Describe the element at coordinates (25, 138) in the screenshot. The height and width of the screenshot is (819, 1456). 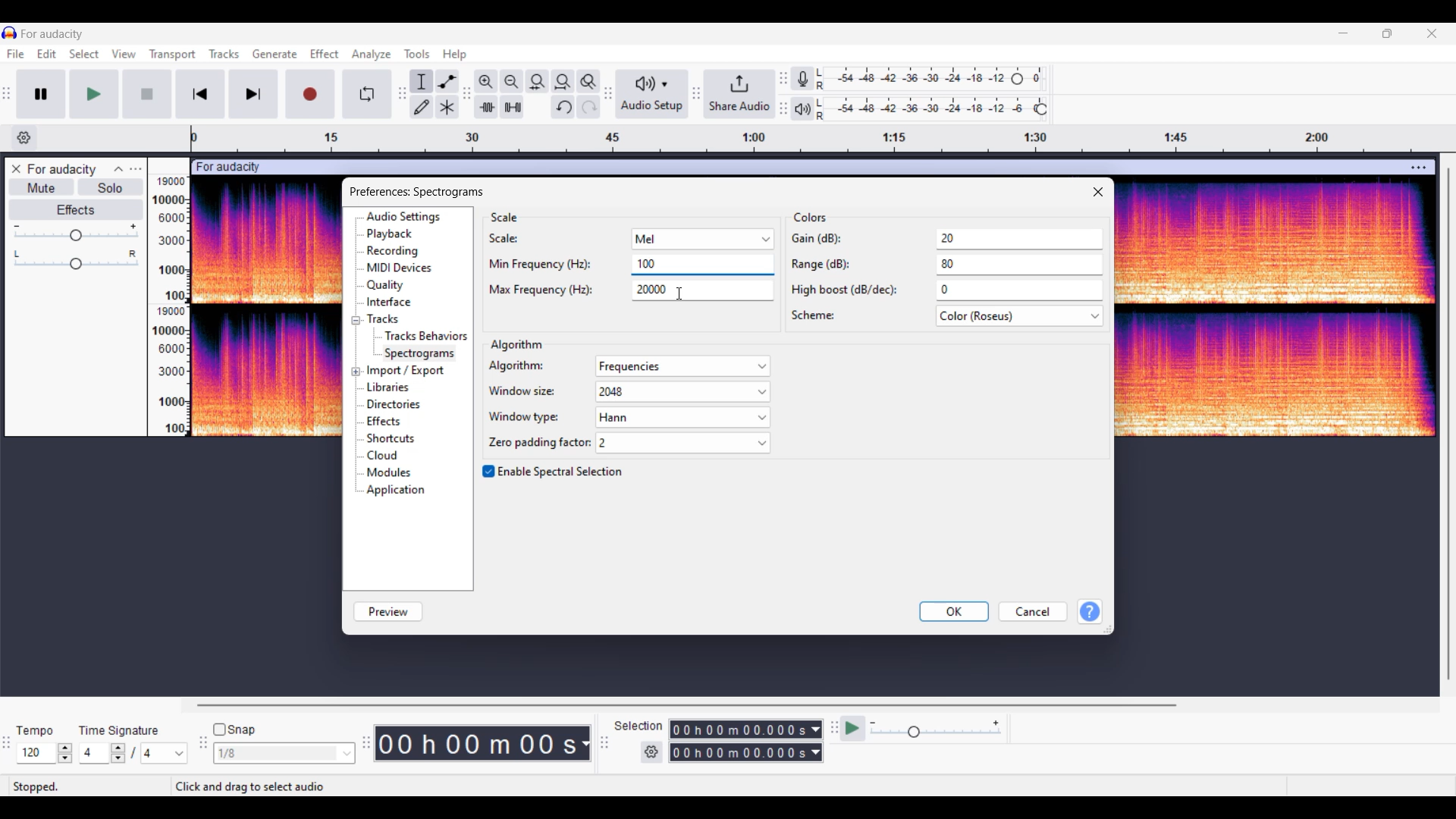
I see `Timeline options` at that location.